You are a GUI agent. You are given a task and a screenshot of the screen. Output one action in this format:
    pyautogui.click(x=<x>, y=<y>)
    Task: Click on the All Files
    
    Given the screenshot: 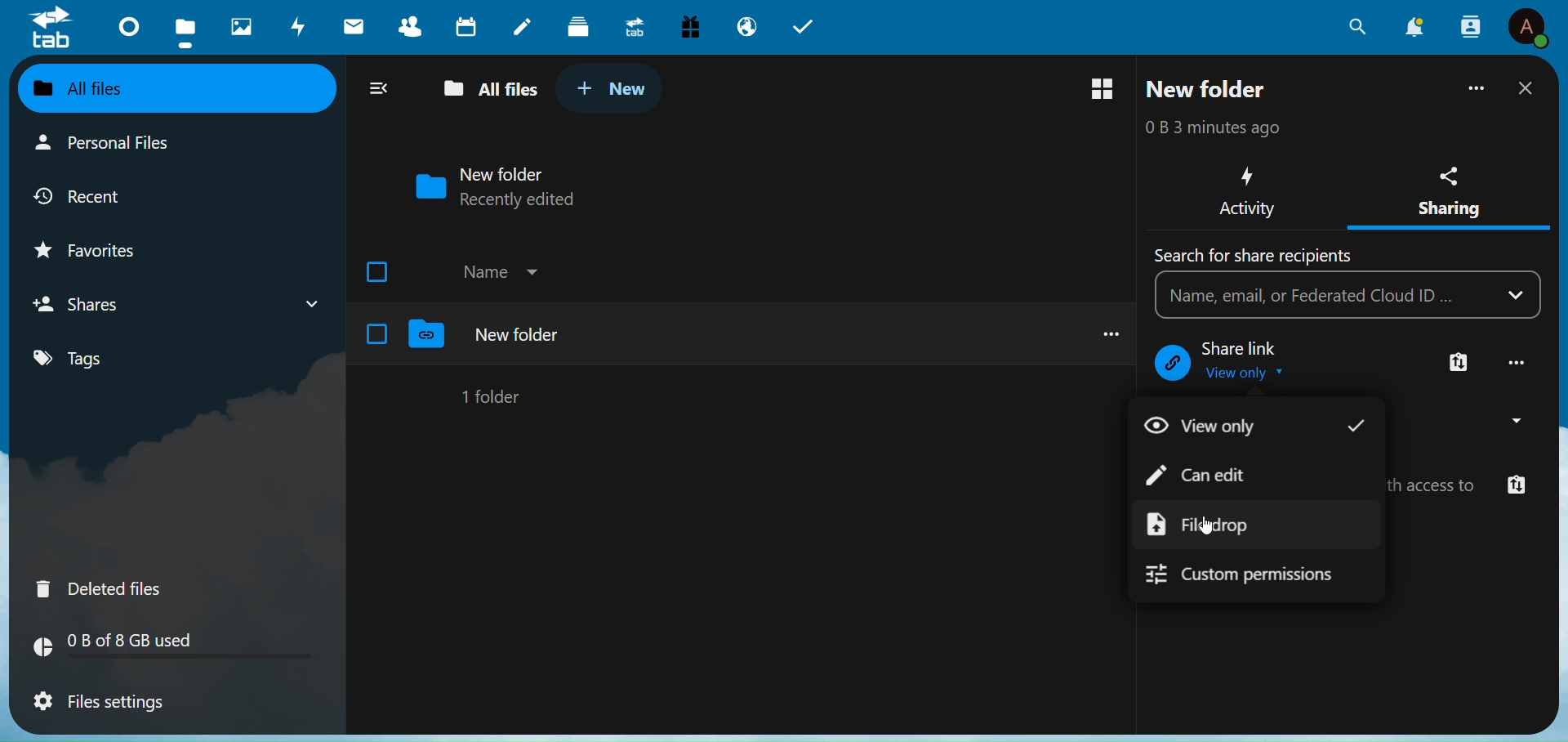 What is the action you would take?
    pyautogui.click(x=106, y=88)
    